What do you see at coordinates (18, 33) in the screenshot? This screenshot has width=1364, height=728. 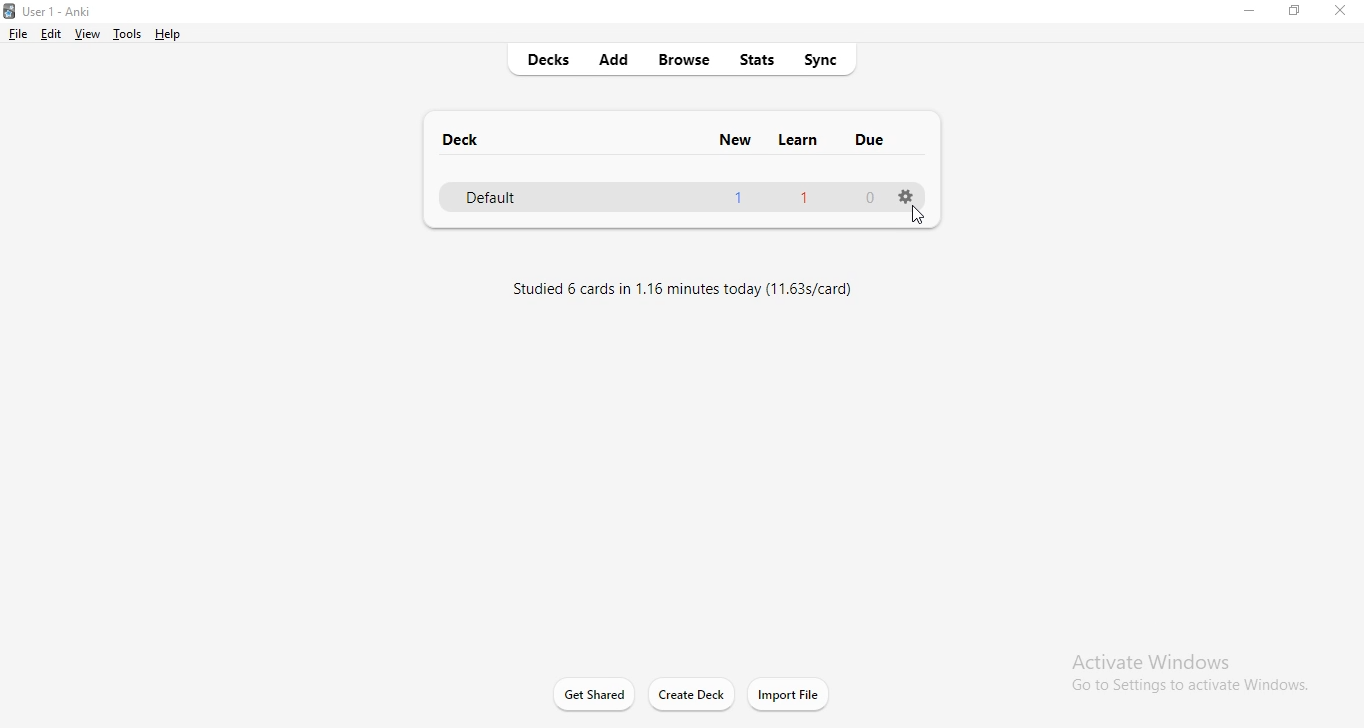 I see `file` at bounding box center [18, 33].